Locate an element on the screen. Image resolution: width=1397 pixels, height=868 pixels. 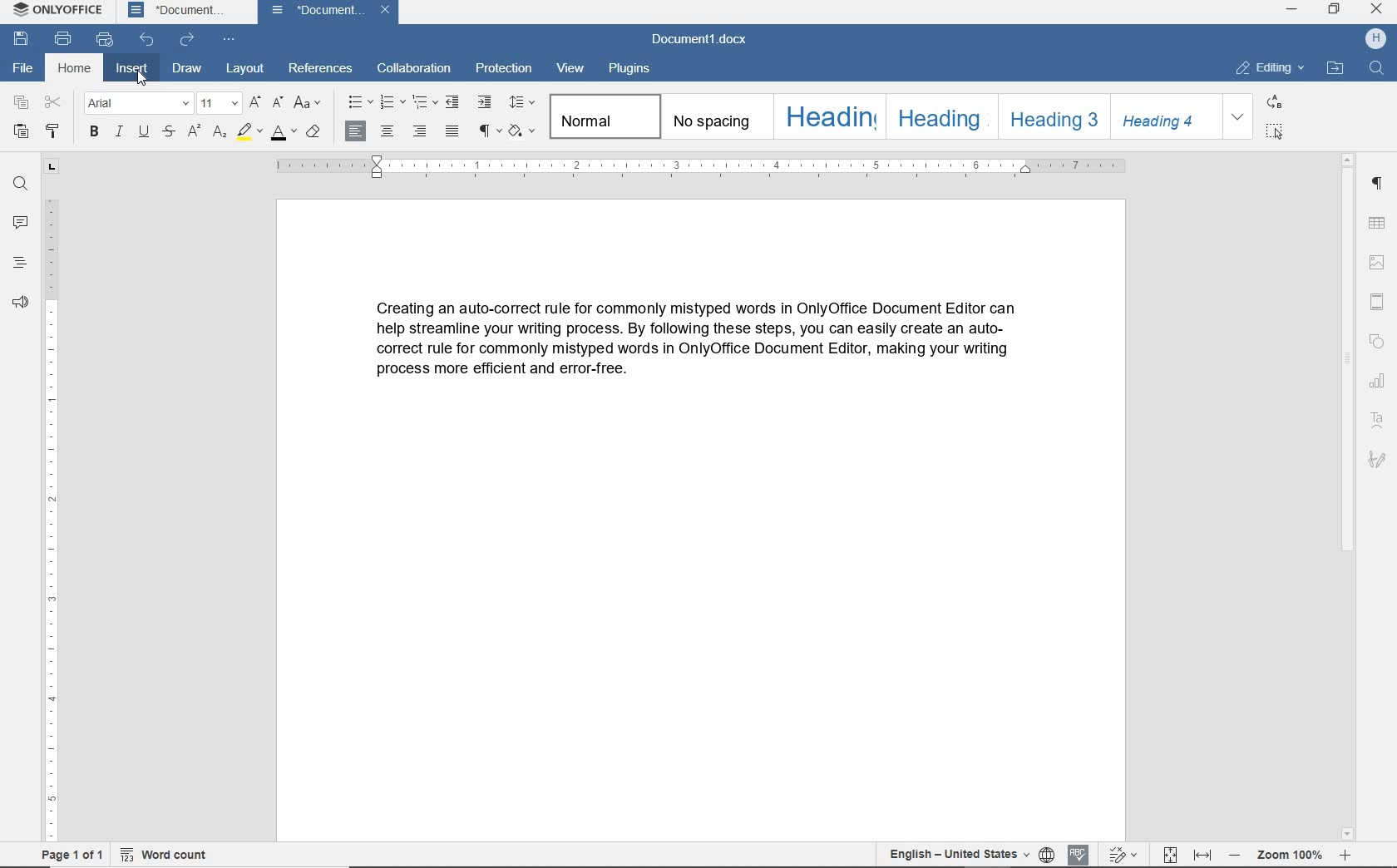
signature is located at coordinates (1379, 460).